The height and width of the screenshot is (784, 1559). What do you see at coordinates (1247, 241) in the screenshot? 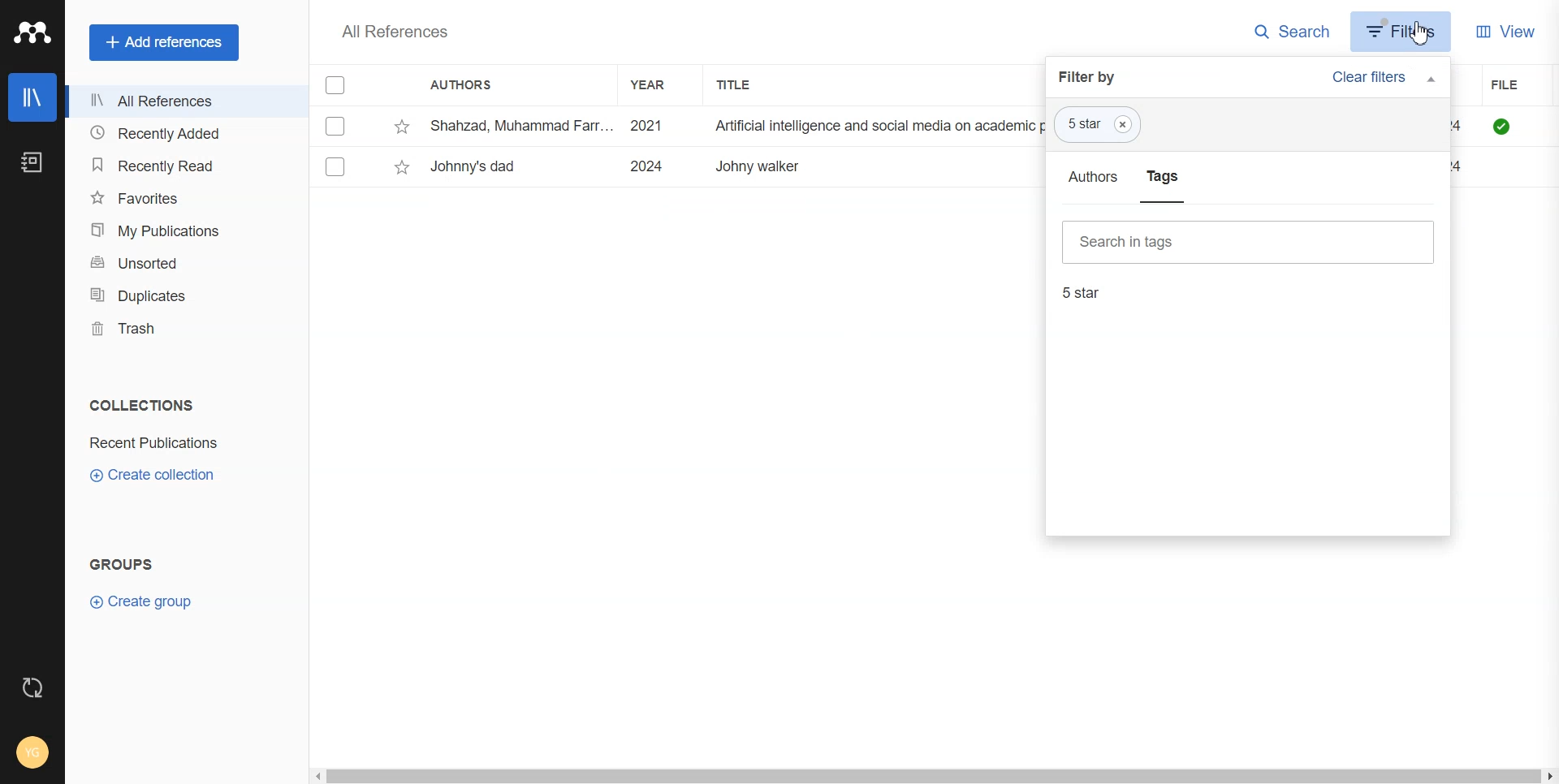
I see `Search in tags` at bounding box center [1247, 241].